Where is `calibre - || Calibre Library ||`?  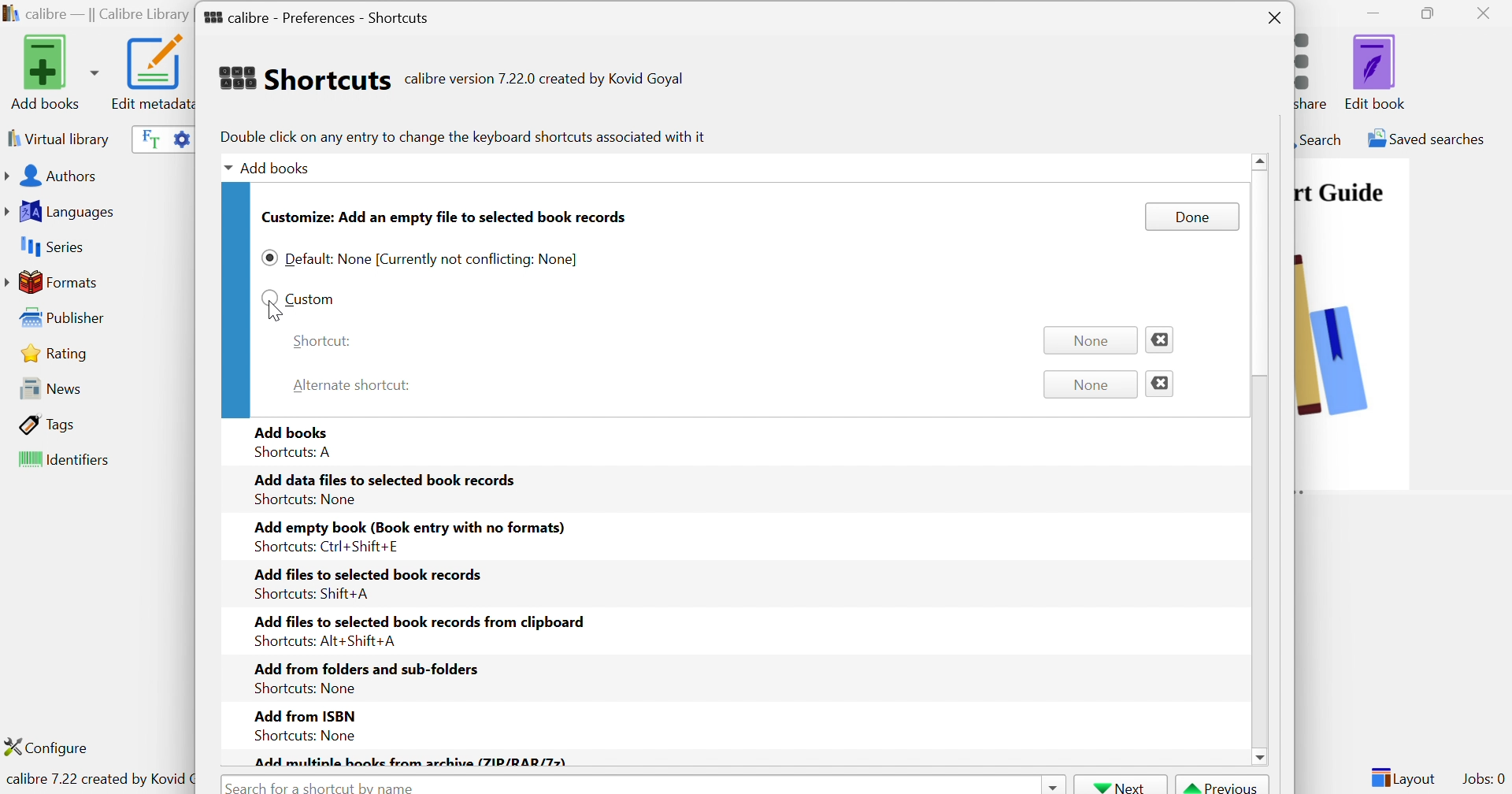 calibre - || Calibre Library || is located at coordinates (95, 15).